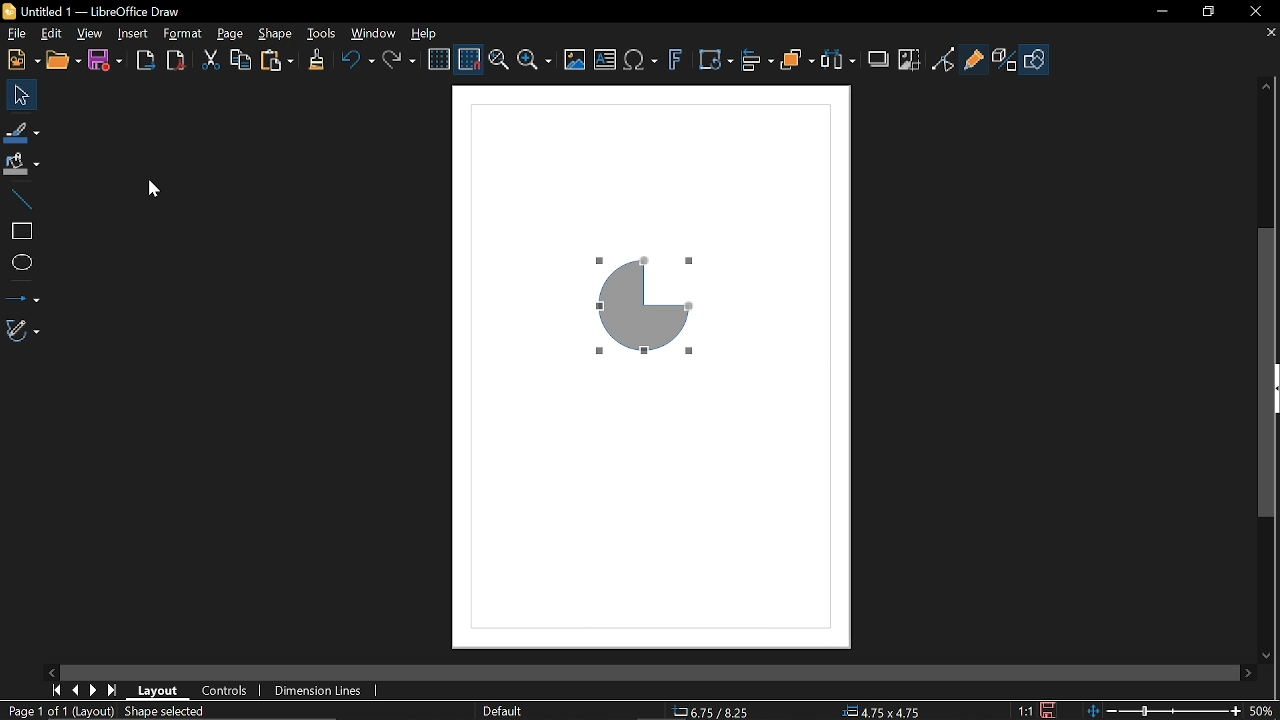 This screenshot has width=1280, height=720. What do you see at coordinates (677, 62) in the screenshot?
I see `Insert fontwork text` at bounding box center [677, 62].